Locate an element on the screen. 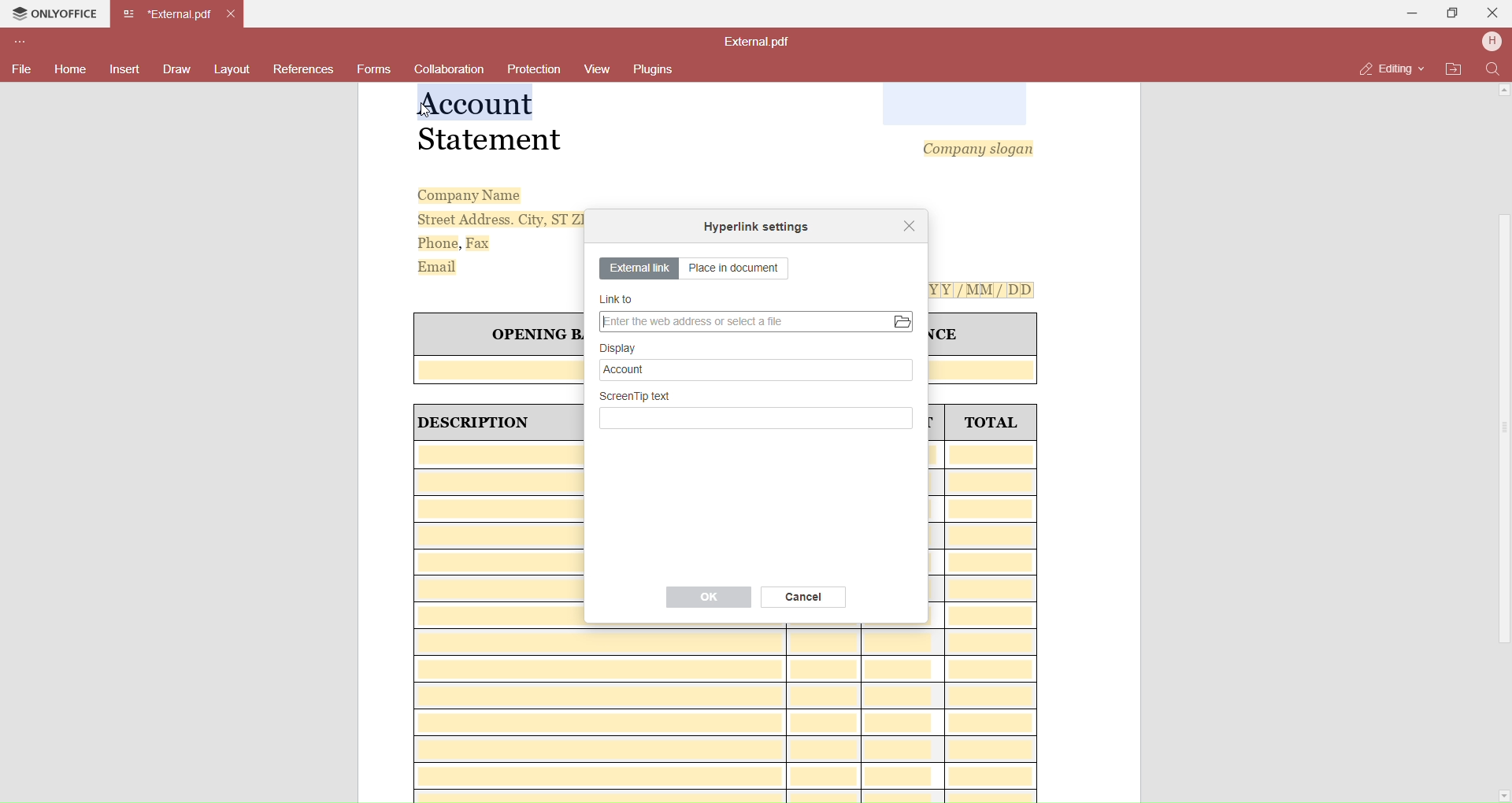 Image resolution: width=1512 pixels, height=803 pixels. Find is located at coordinates (1492, 69).